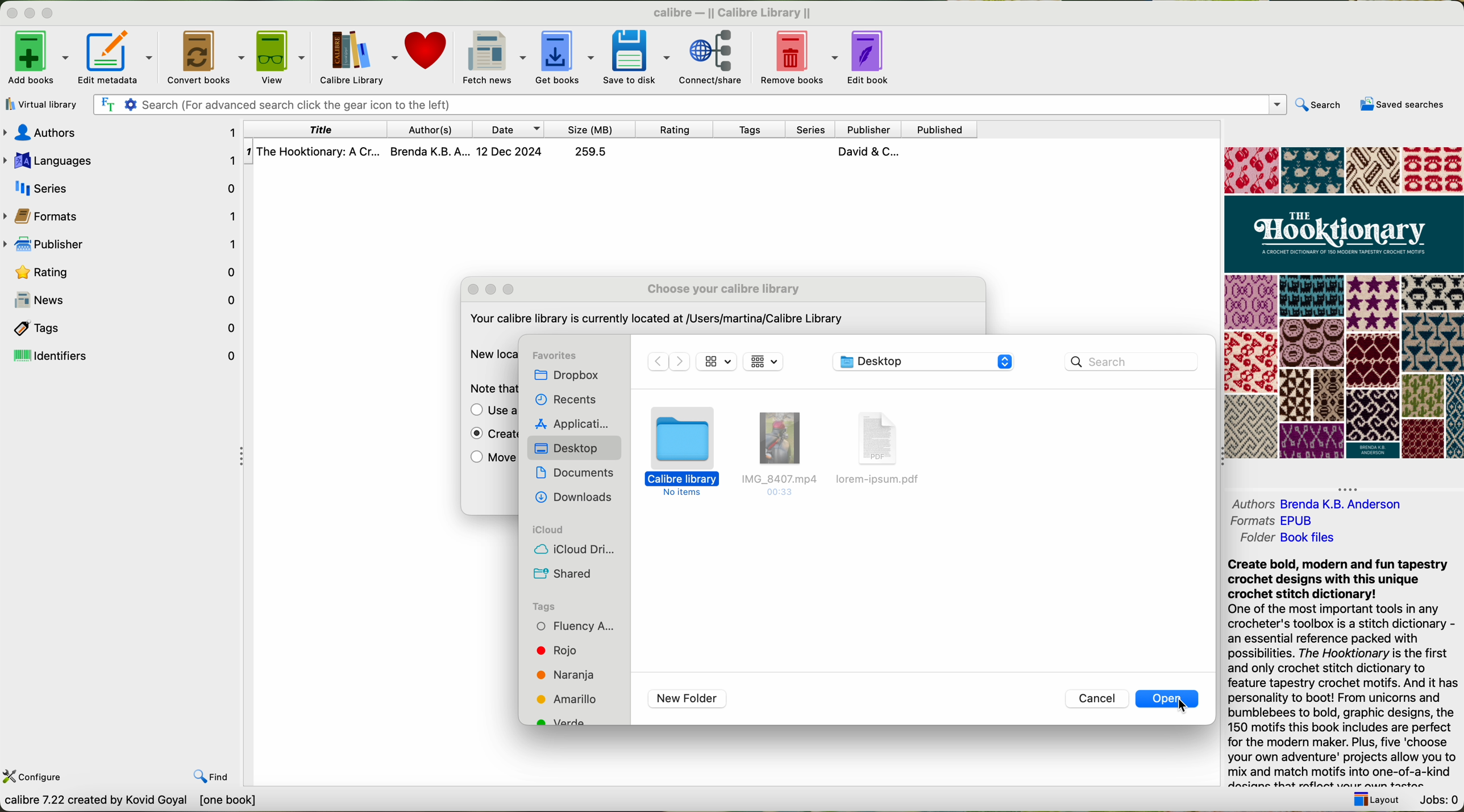 This screenshot has width=1464, height=812. What do you see at coordinates (122, 186) in the screenshot?
I see `series` at bounding box center [122, 186].